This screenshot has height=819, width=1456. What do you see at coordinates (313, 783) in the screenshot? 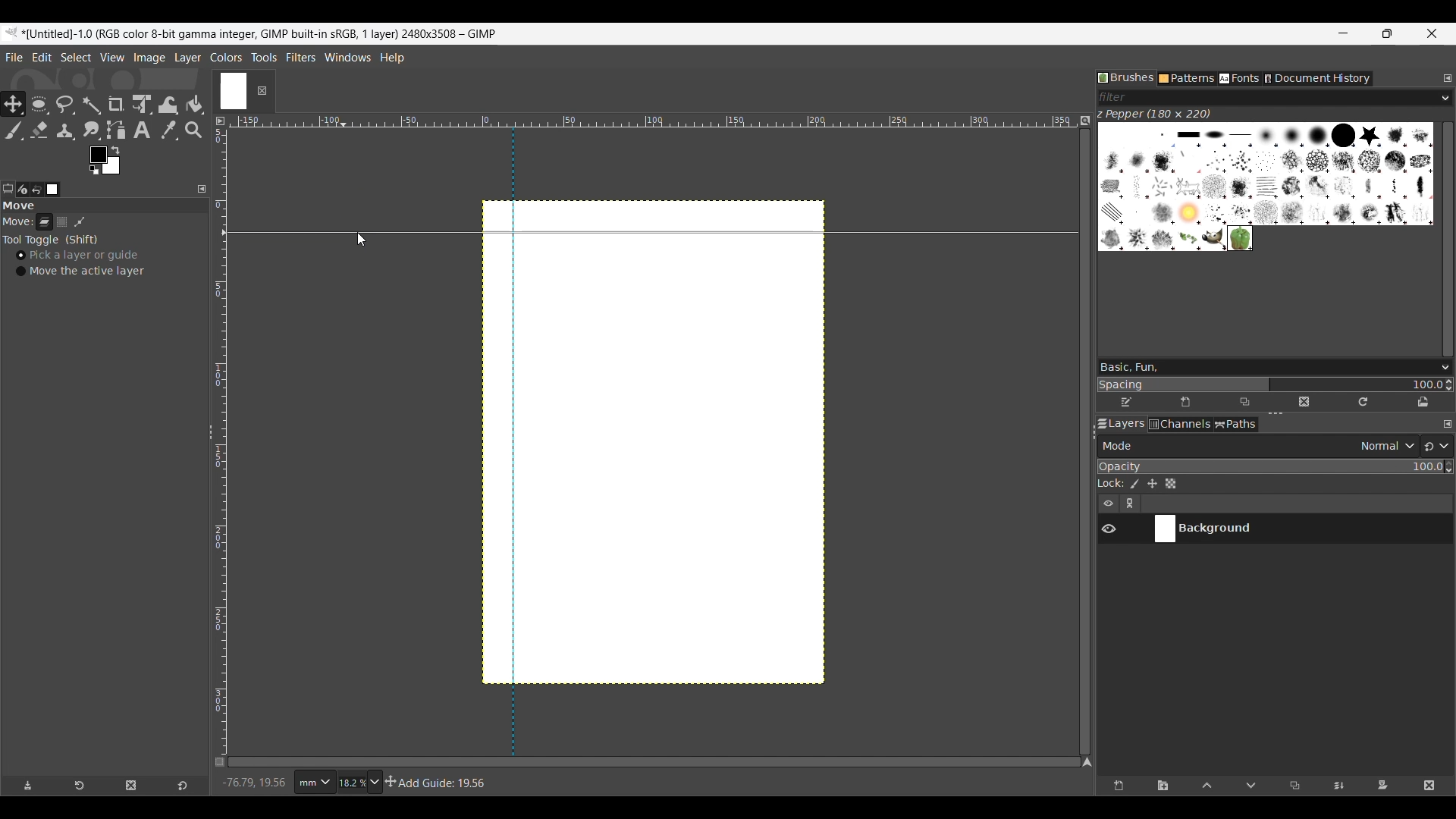
I see `Ruler measurement` at bounding box center [313, 783].